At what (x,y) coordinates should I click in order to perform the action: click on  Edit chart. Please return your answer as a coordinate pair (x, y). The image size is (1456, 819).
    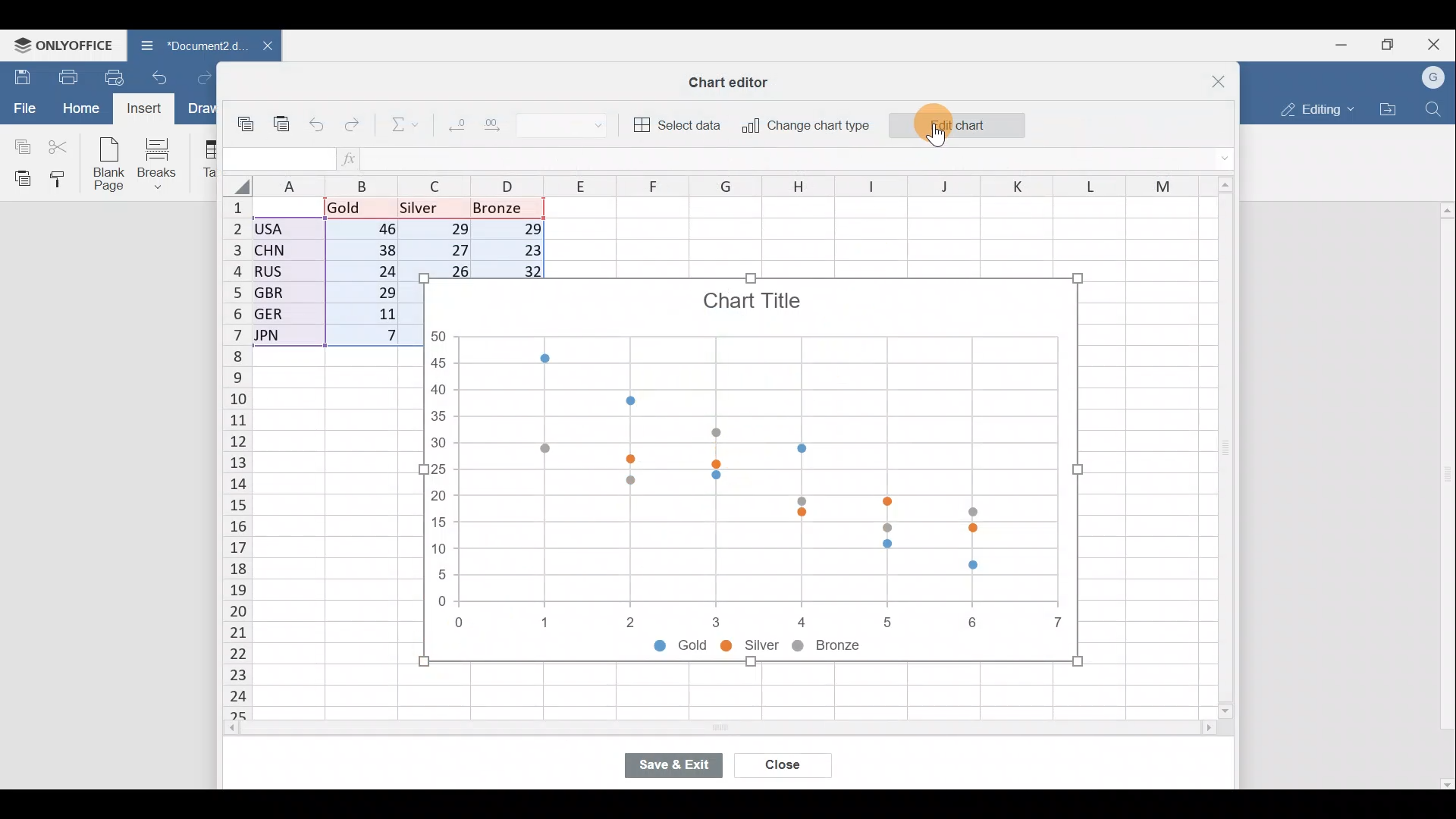
    Looking at the image, I should click on (957, 119).